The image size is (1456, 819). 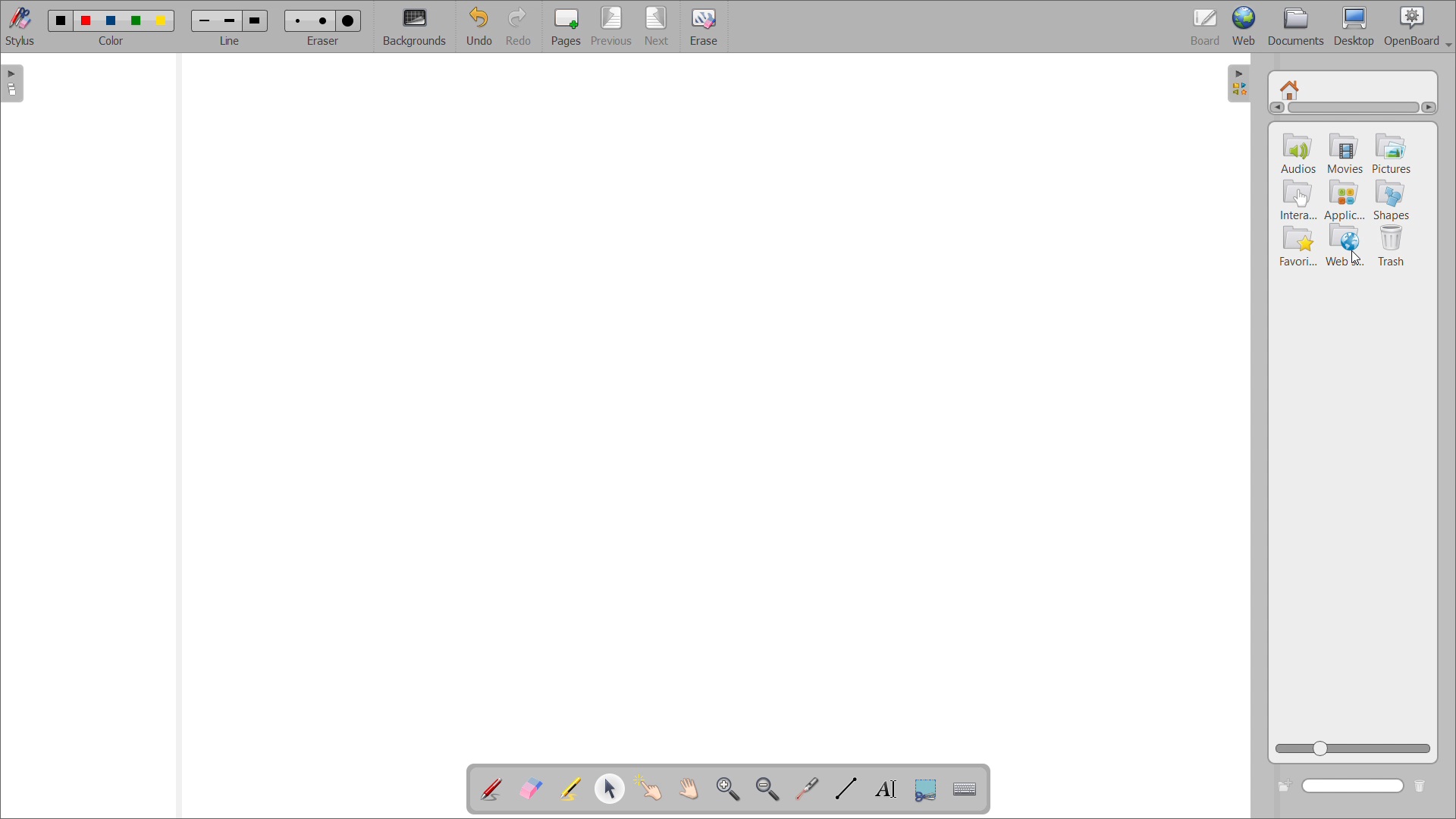 I want to click on movies, so click(x=1345, y=153).